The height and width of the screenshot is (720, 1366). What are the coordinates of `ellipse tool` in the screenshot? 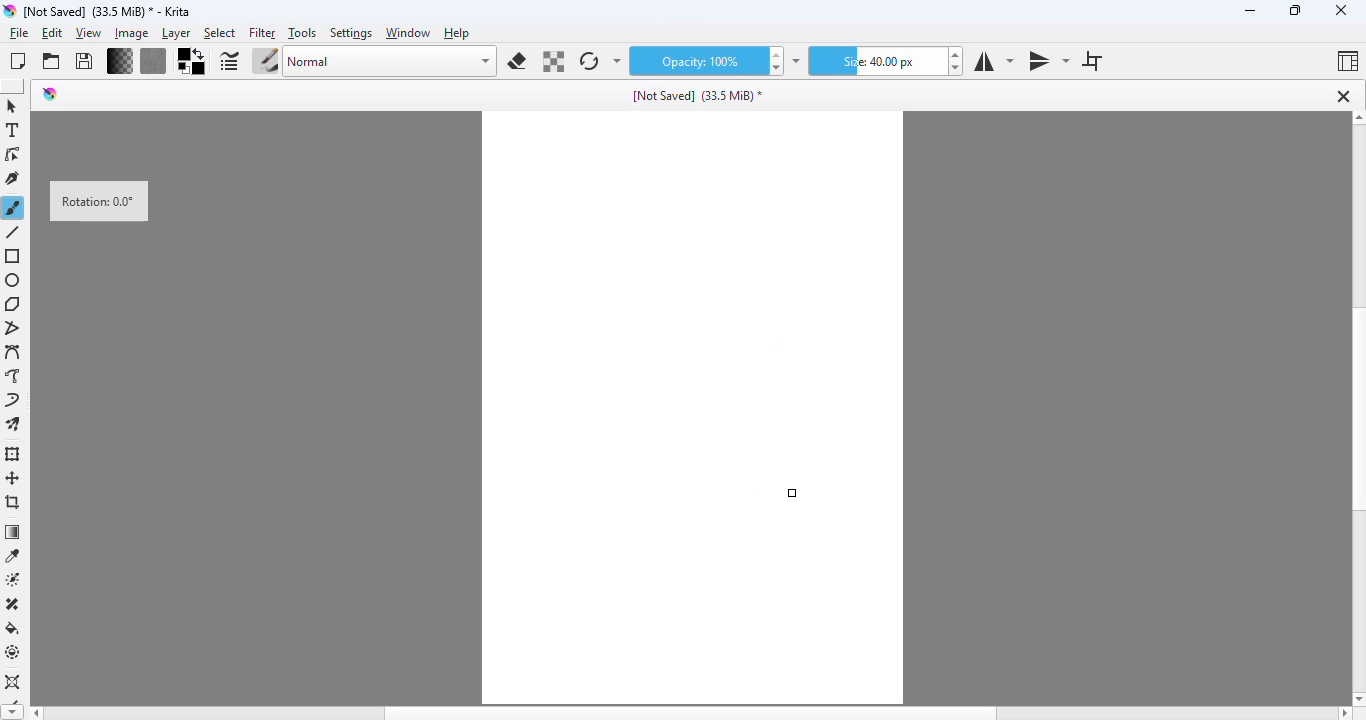 It's located at (14, 281).